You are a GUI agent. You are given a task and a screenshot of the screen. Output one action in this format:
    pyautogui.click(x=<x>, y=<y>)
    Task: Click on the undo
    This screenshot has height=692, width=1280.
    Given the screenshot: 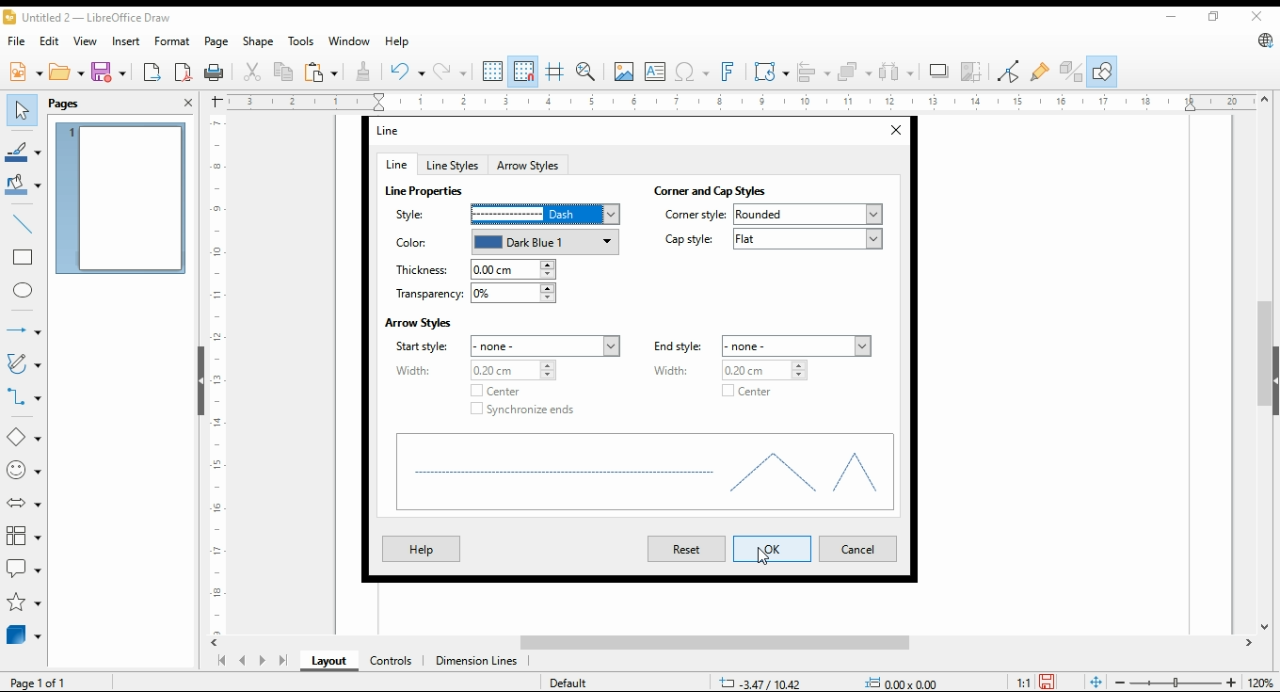 What is the action you would take?
    pyautogui.click(x=408, y=70)
    